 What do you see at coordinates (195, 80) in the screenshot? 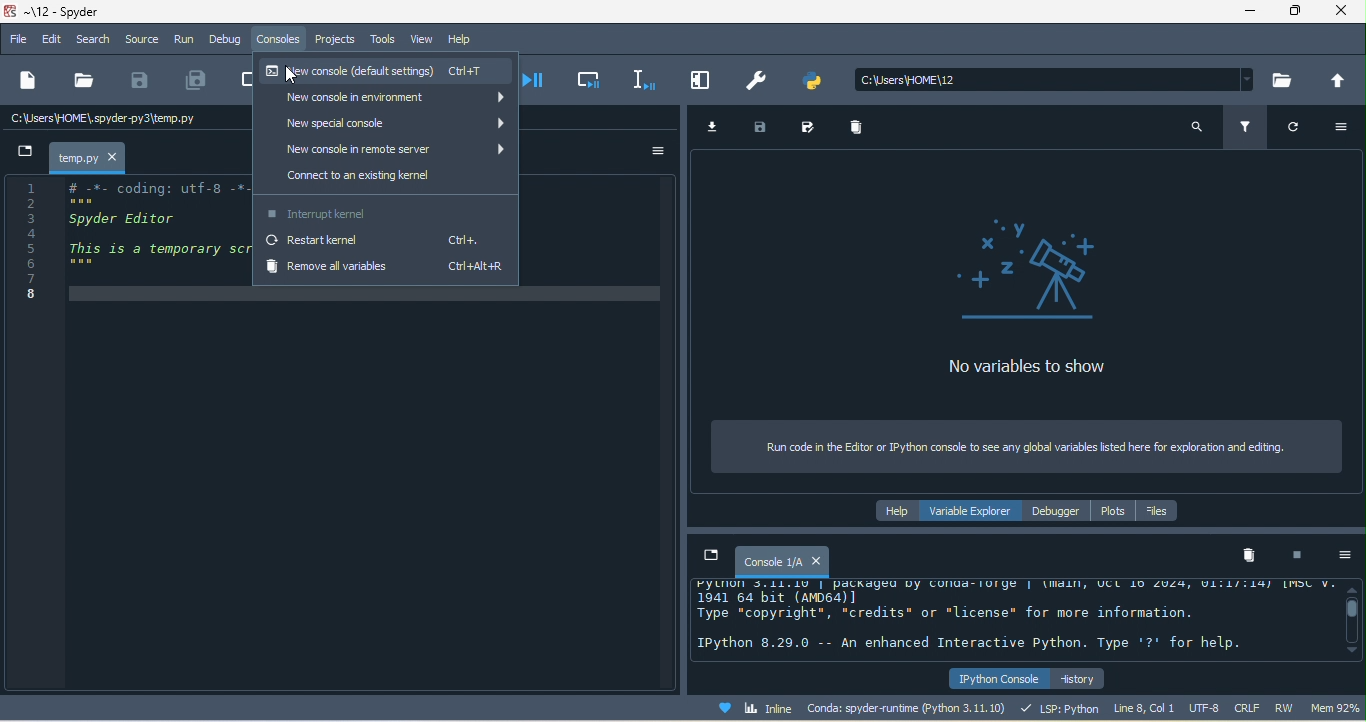
I see `save all` at bounding box center [195, 80].